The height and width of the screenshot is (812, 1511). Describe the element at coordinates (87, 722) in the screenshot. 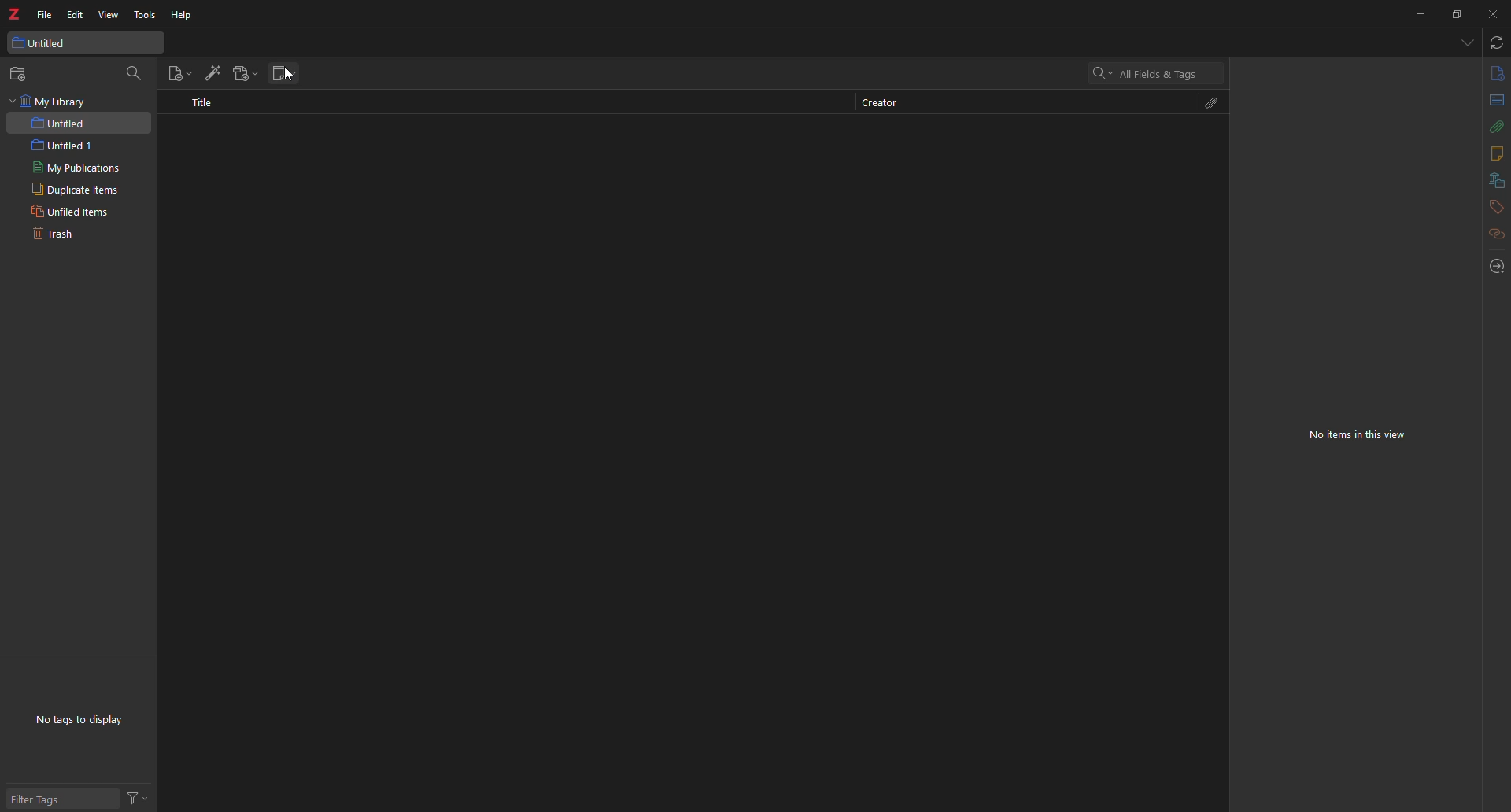

I see `no tags to display` at that location.